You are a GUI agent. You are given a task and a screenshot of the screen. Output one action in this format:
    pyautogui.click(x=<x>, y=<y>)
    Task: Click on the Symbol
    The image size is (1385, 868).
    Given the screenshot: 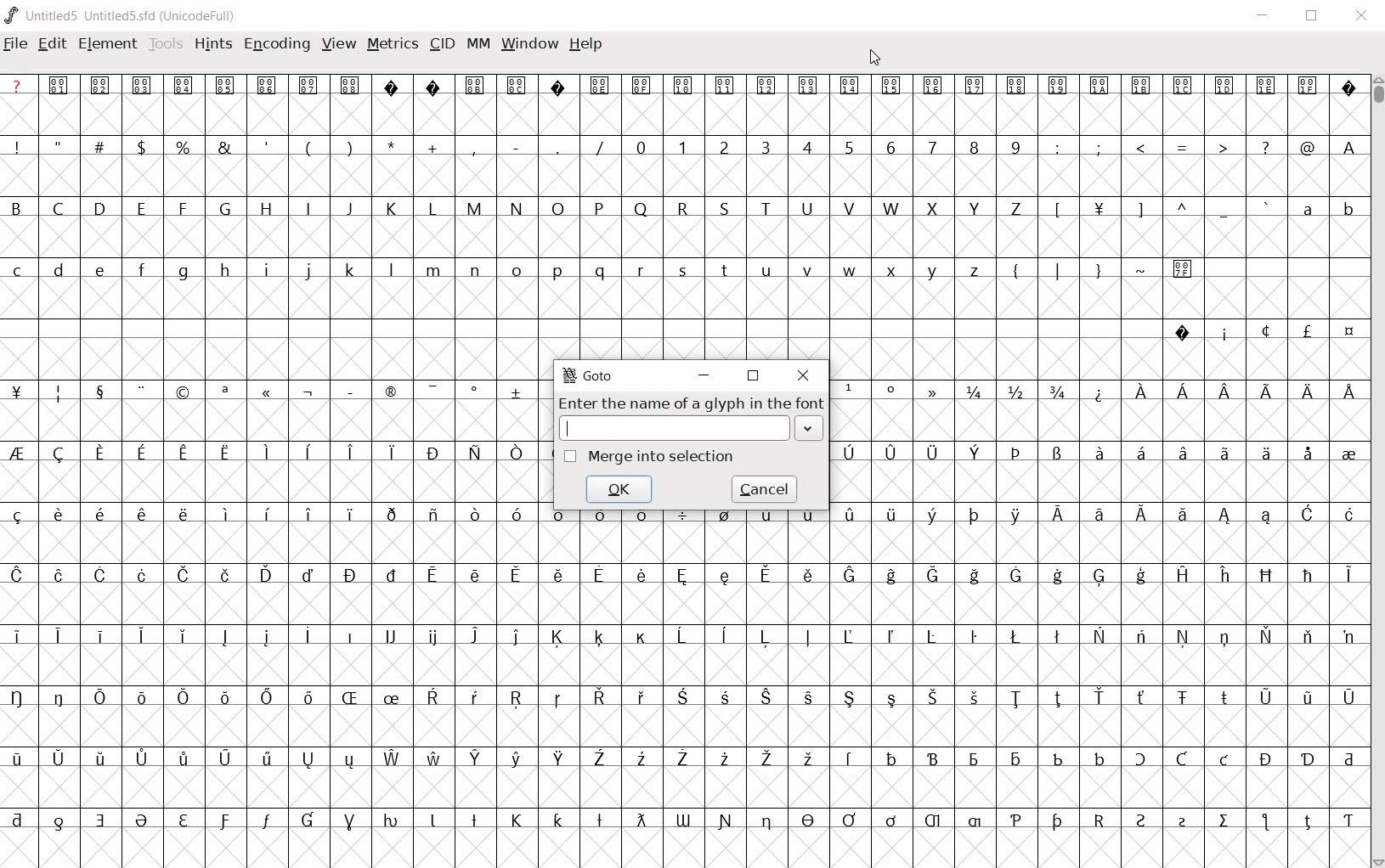 What is the action you would take?
    pyautogui.click(x=349, y=634)
    